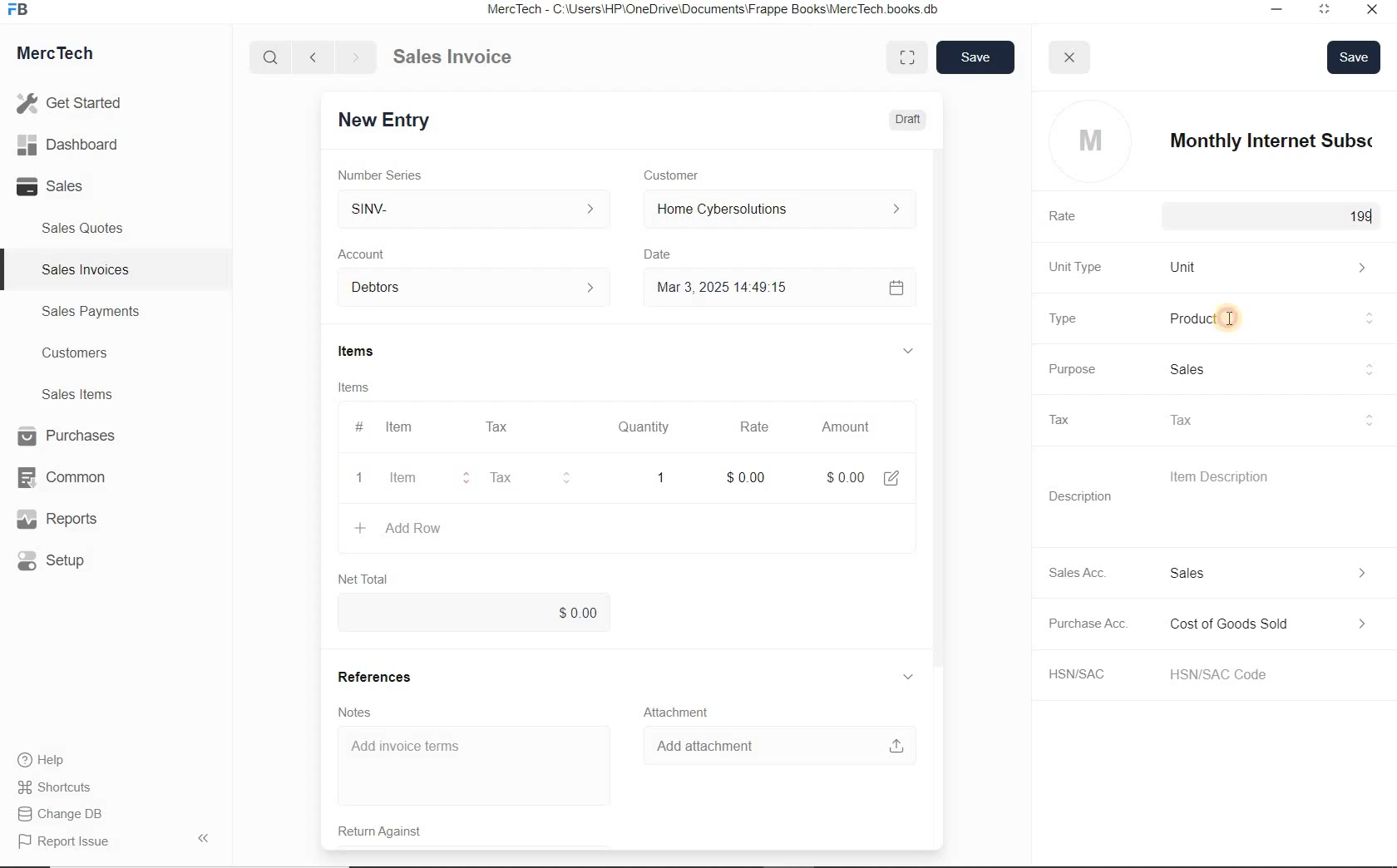 Image resolution: width=1397 pixels, height=868 pixels. Describe the element at coordinates (86, 228) in the screenshot. I see `Sales Quotes` at that location.